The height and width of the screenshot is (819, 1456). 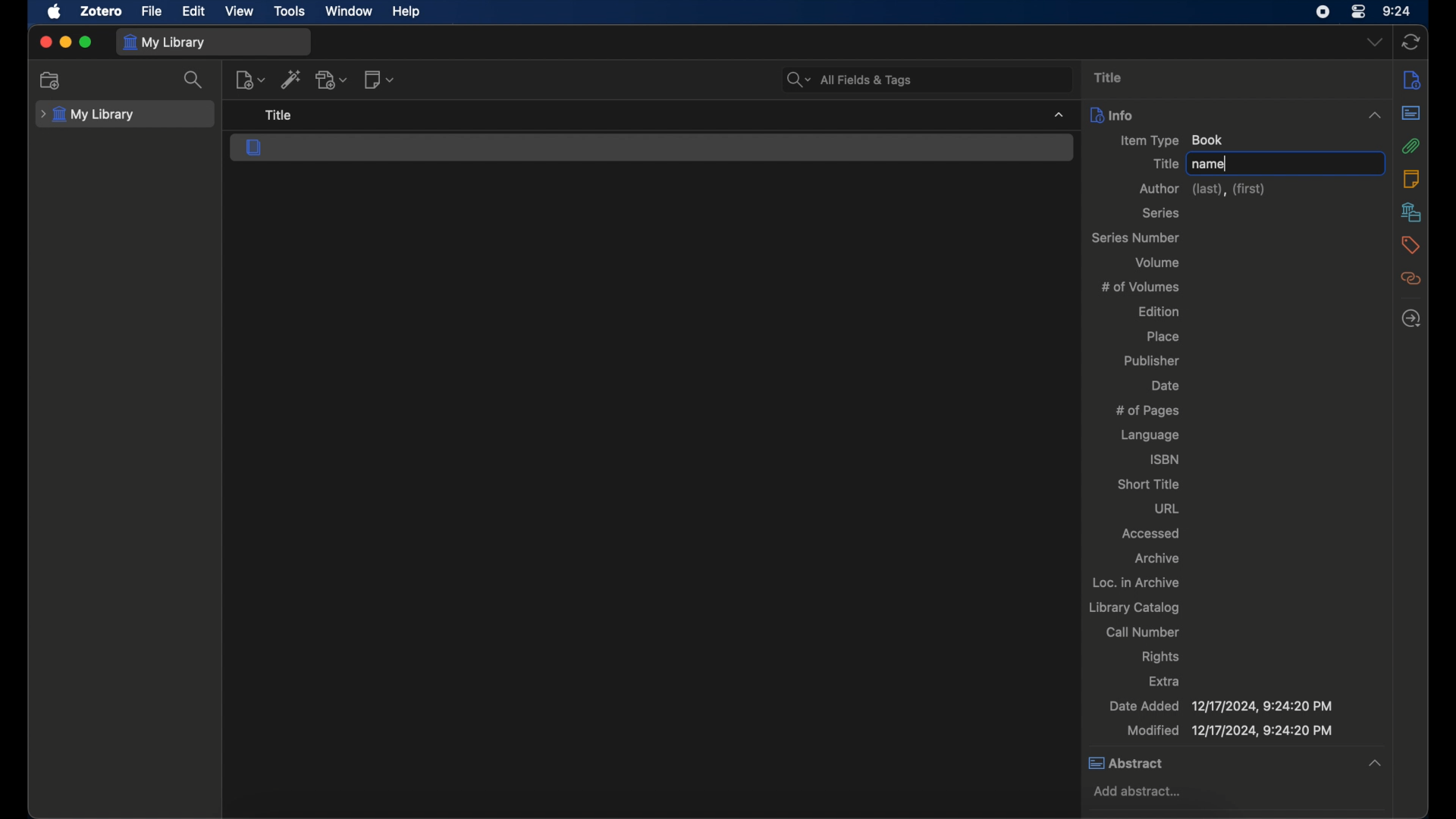 I want to click on modified, so click(x=1230, y=732).